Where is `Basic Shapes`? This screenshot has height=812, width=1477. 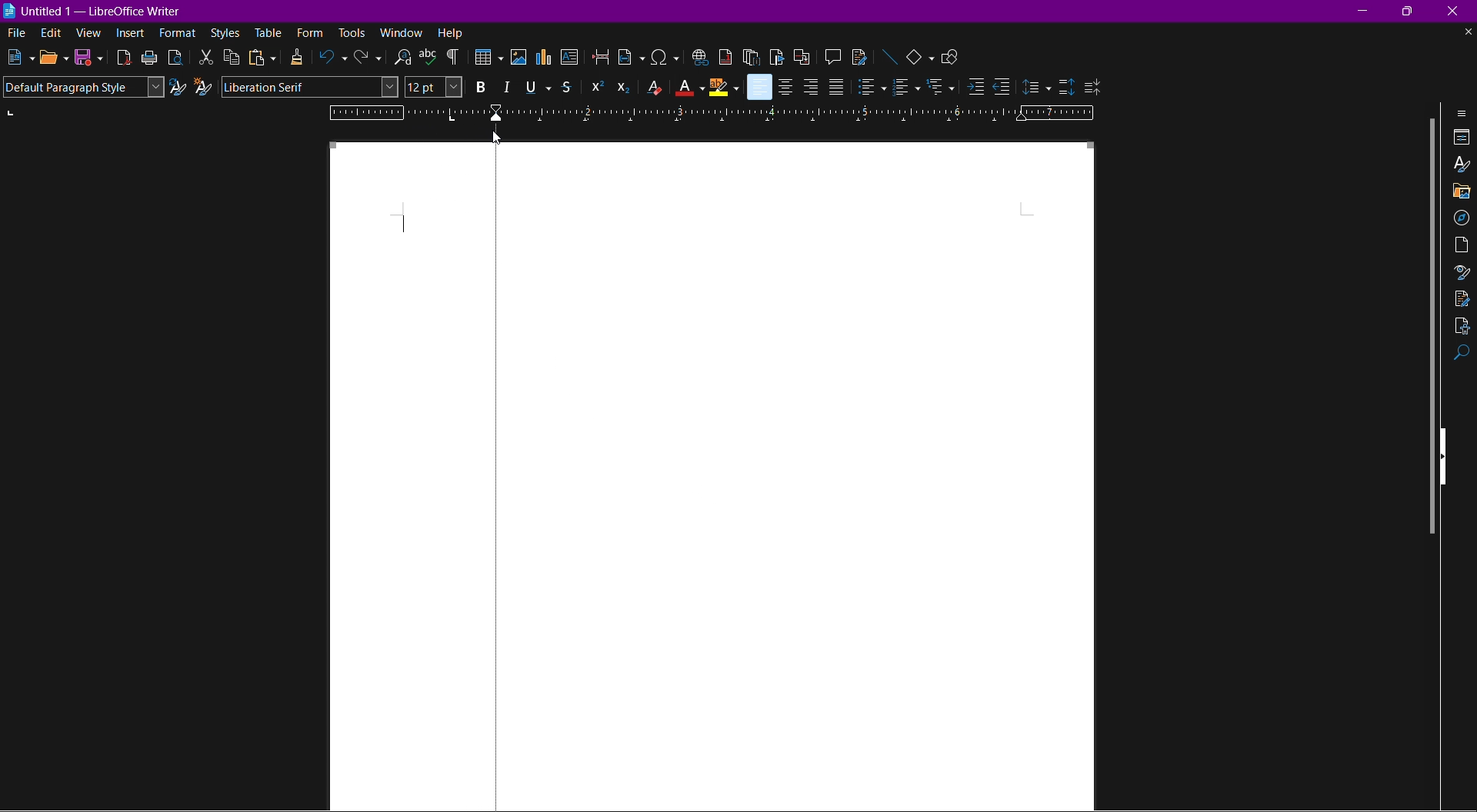 Basic Shapes is located at coordinates (922, 55).